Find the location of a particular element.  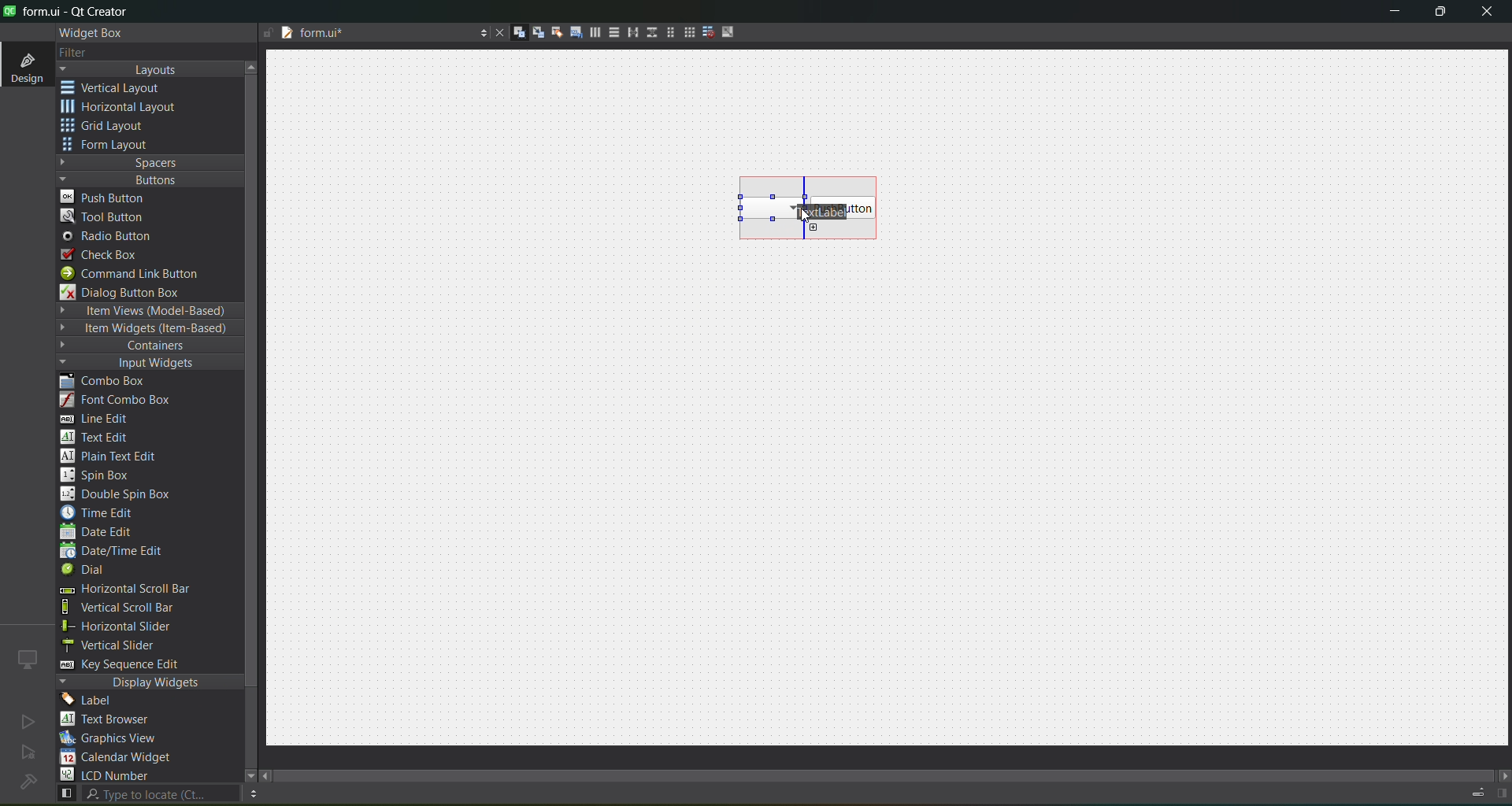

edit widgets is located at coordinates (513, 33).